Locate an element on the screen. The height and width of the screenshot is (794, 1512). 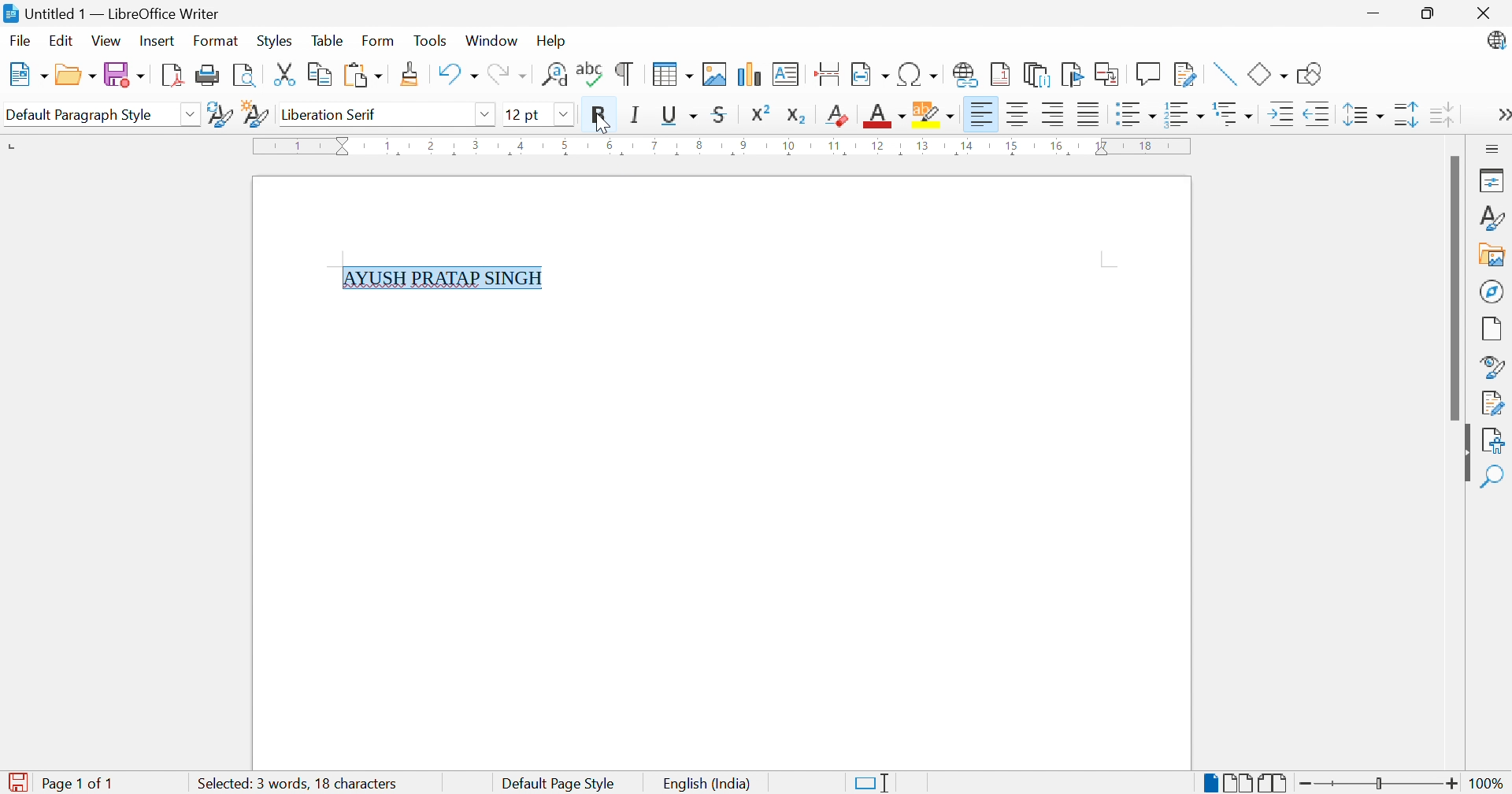
Default Paragraph Style is located at coordinates (80, 115).